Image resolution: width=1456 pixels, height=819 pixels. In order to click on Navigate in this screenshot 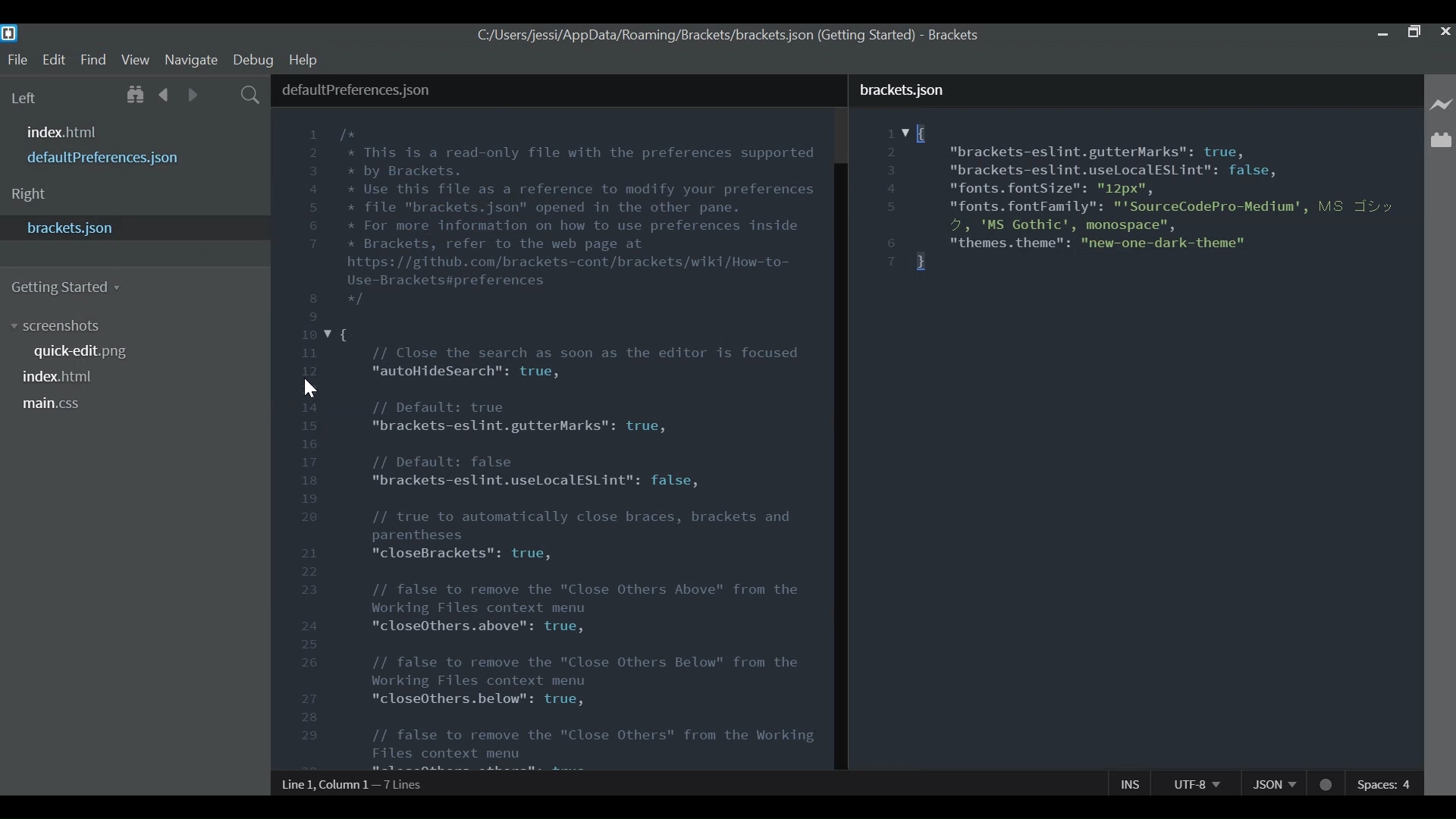, I will do `click(190, 60)`.